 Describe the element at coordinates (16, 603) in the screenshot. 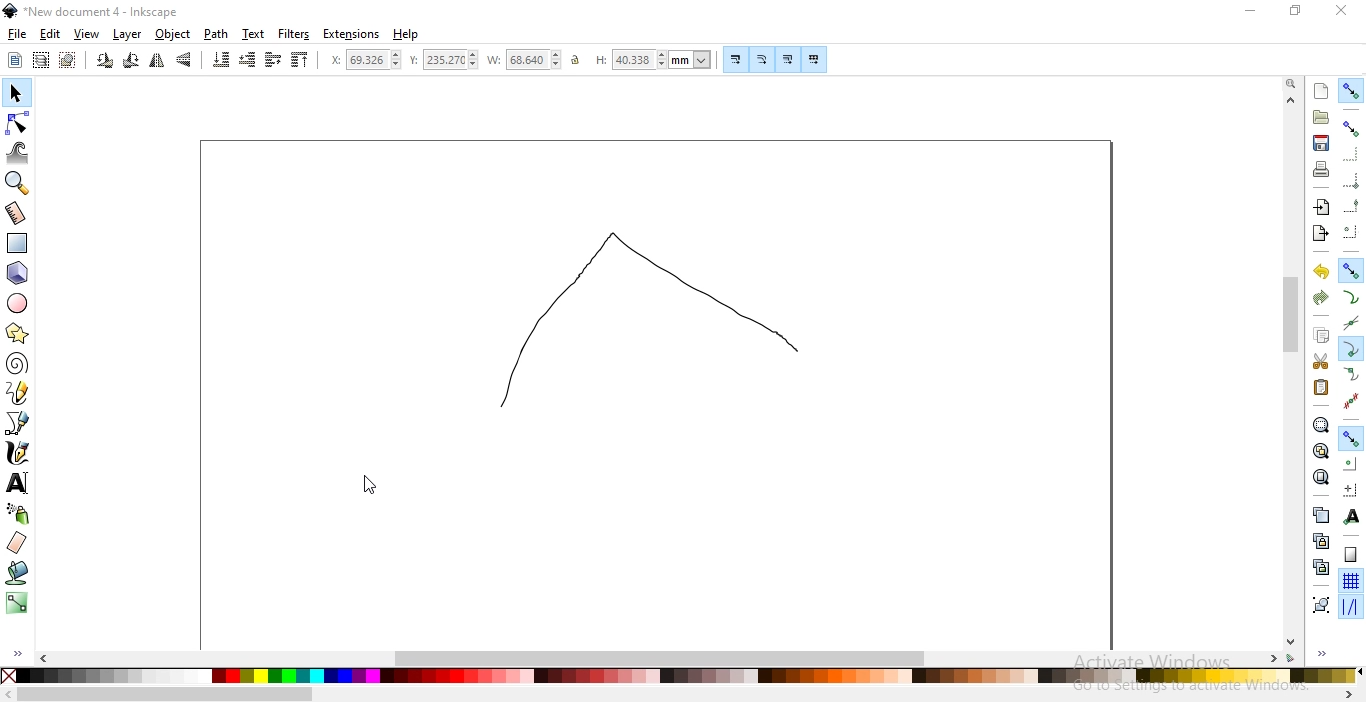

I see `create or edit gradients` at that location.